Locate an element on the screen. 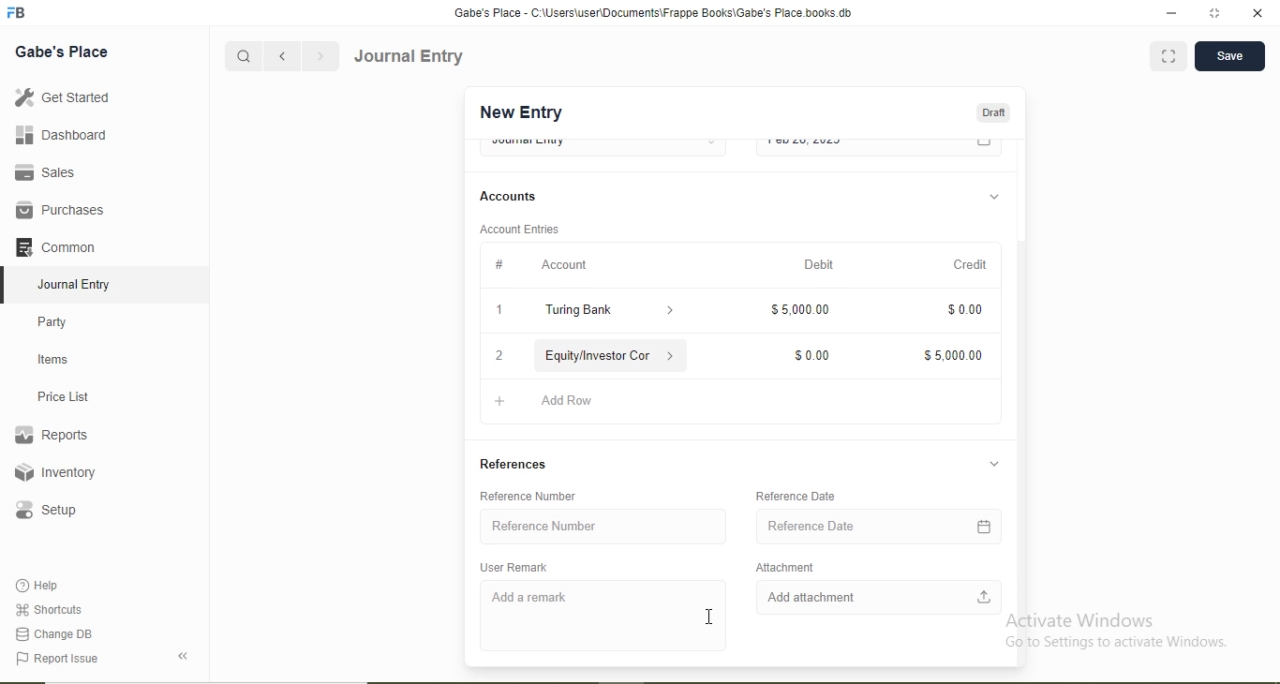 The image size is (1280, 684). Reference Date is located at coordinates (795, 496).